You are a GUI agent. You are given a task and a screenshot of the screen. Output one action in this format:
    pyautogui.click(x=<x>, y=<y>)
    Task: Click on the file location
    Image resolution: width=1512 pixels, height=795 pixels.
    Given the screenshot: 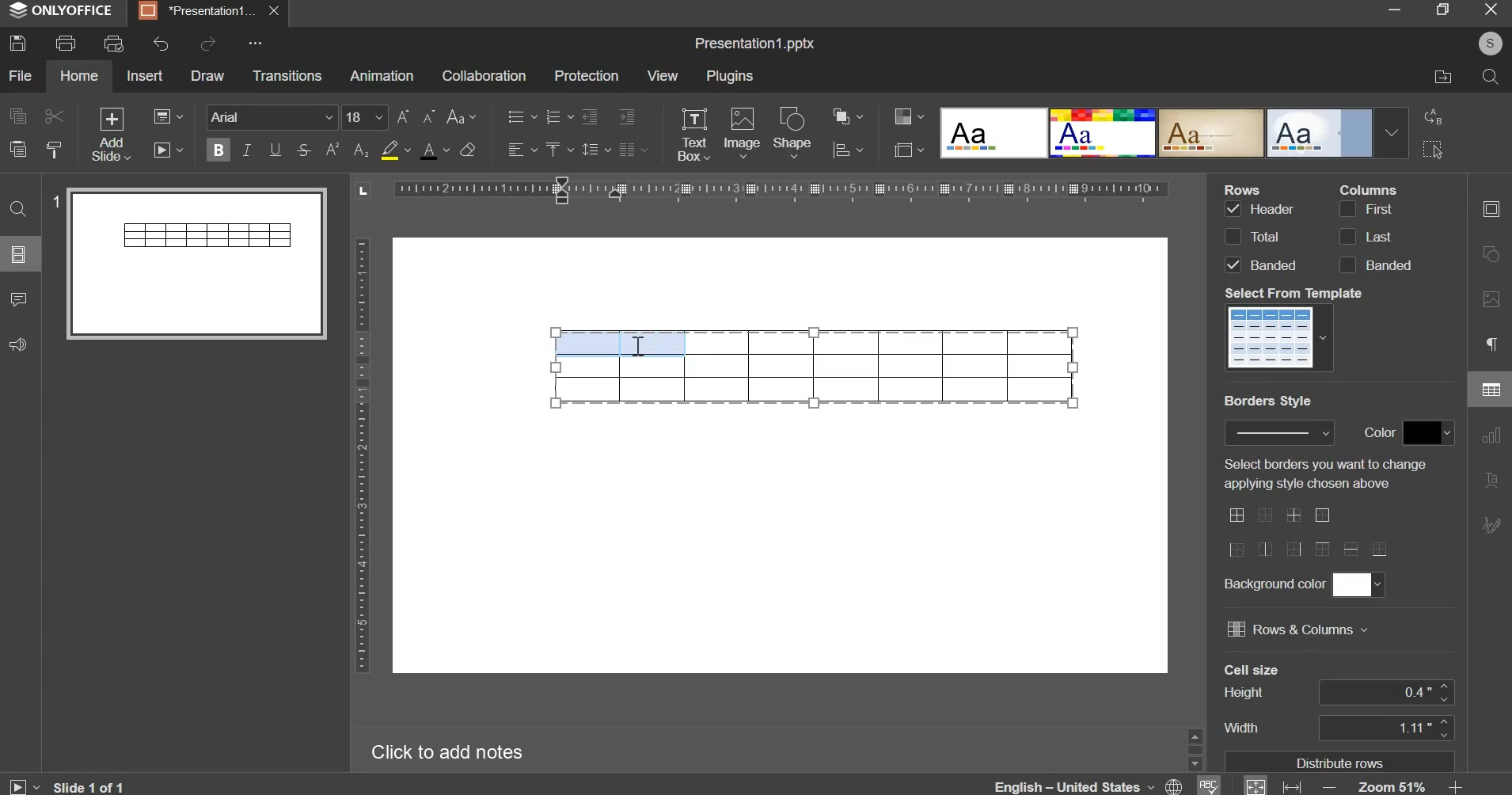 What is the action you would take?
    pyautogui.click(x=1443, y=75)
    